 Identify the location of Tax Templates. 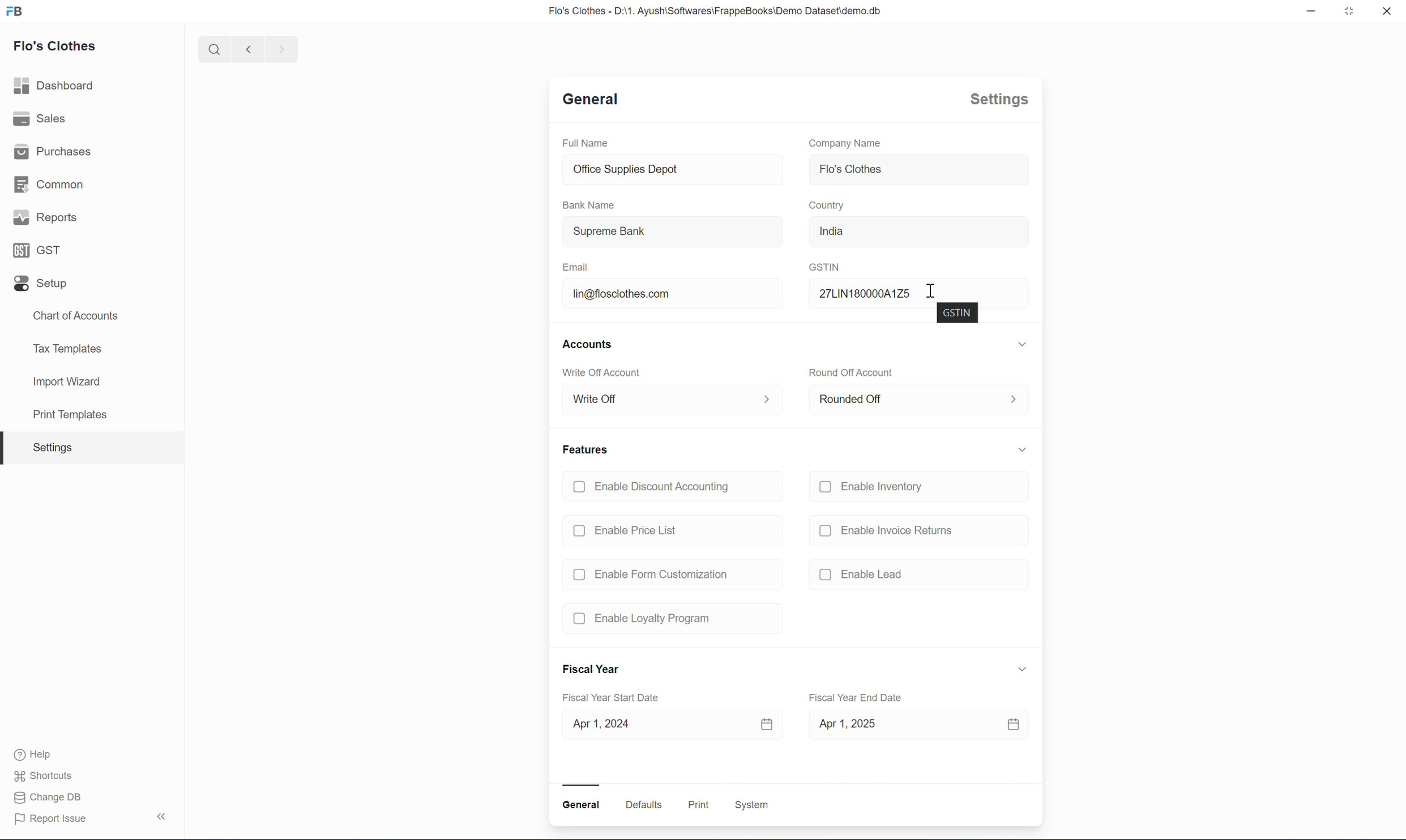
(67, 350).